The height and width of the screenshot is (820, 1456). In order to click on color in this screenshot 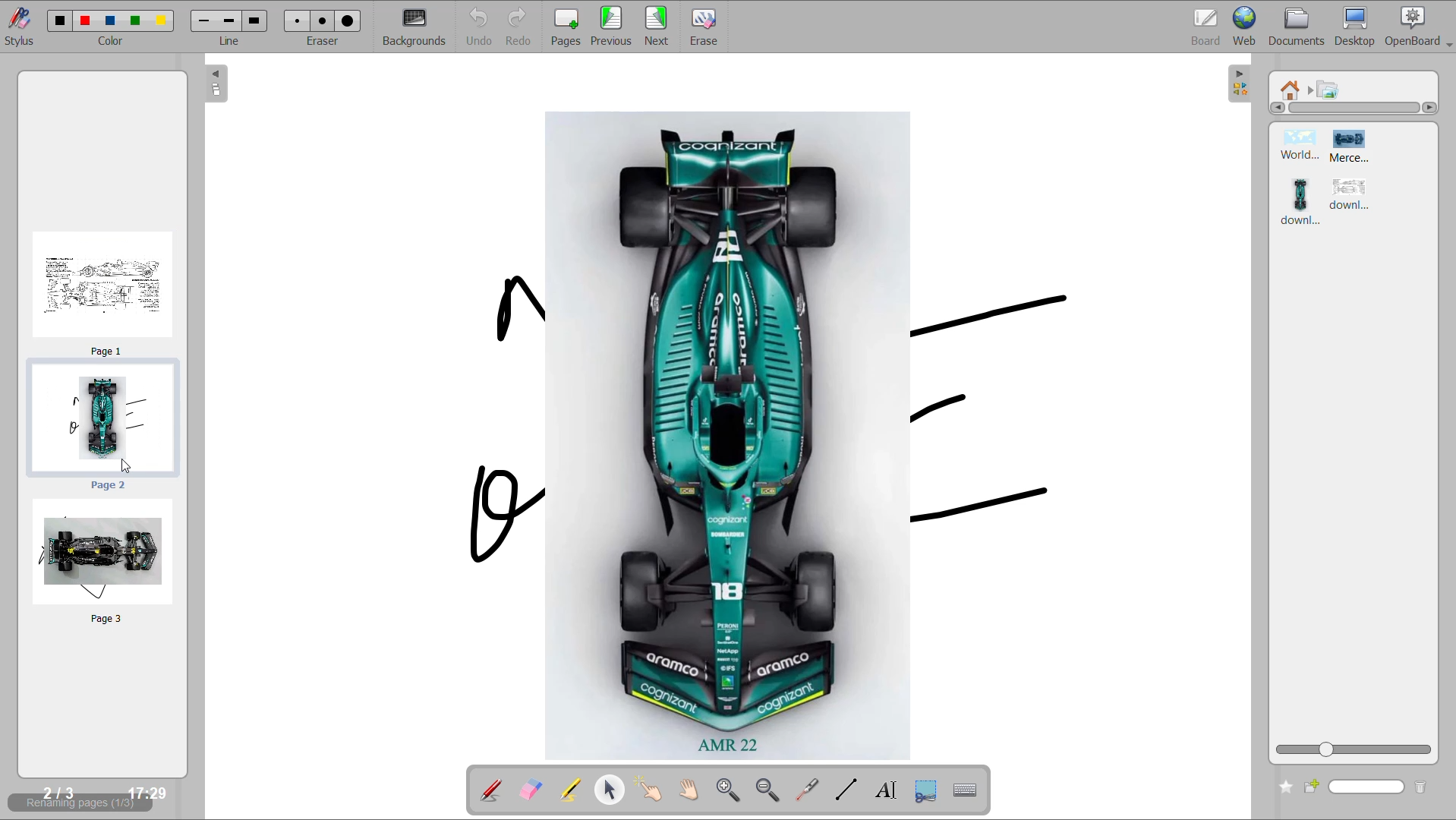, I will do `click(109, 44)`.